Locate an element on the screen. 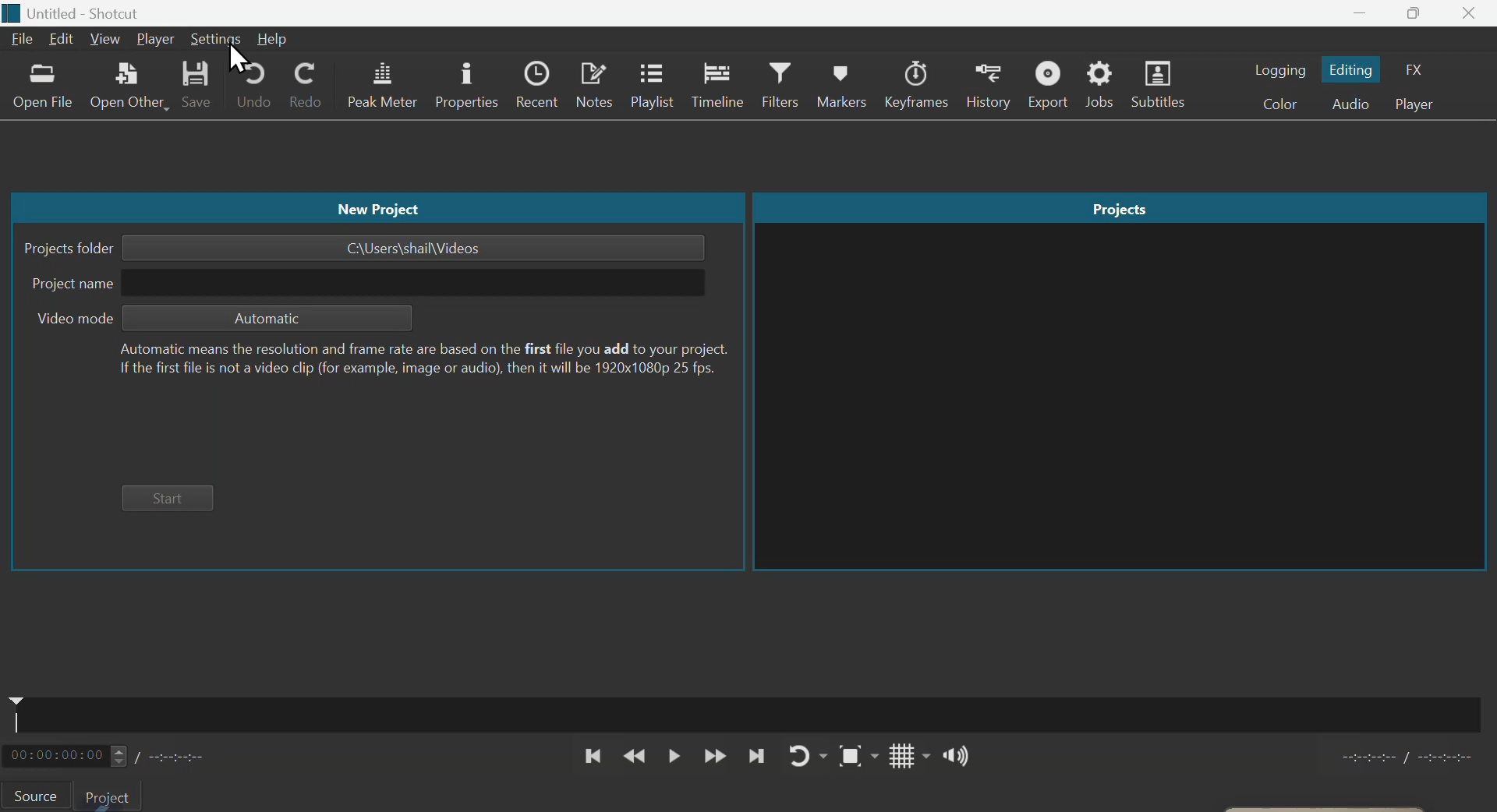 The image size is (1497, 812). Undo is located at coordinates (255, 88).